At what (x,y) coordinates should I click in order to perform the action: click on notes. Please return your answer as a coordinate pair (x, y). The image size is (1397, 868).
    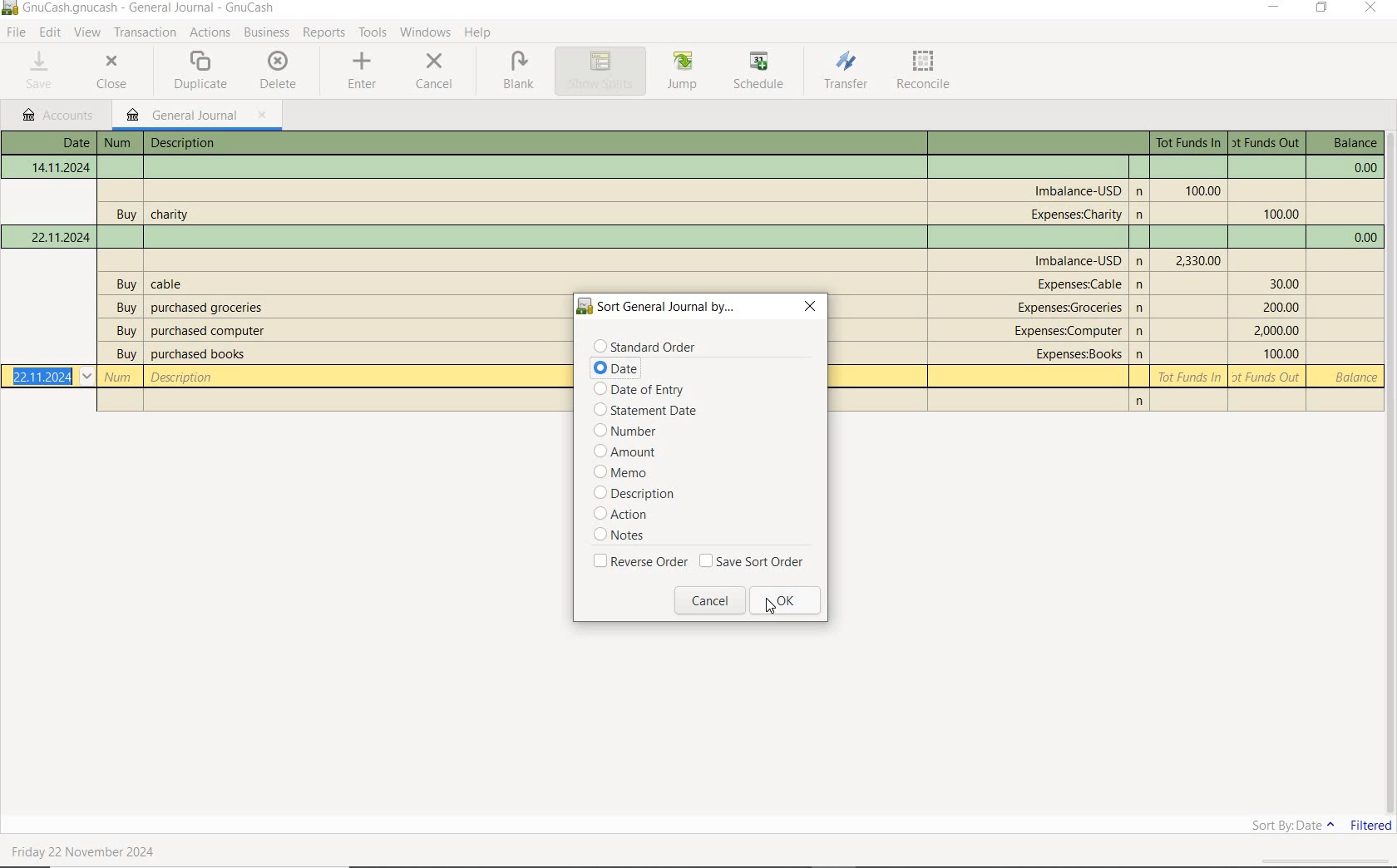
    Looking at the image, I should click on (621, 538).